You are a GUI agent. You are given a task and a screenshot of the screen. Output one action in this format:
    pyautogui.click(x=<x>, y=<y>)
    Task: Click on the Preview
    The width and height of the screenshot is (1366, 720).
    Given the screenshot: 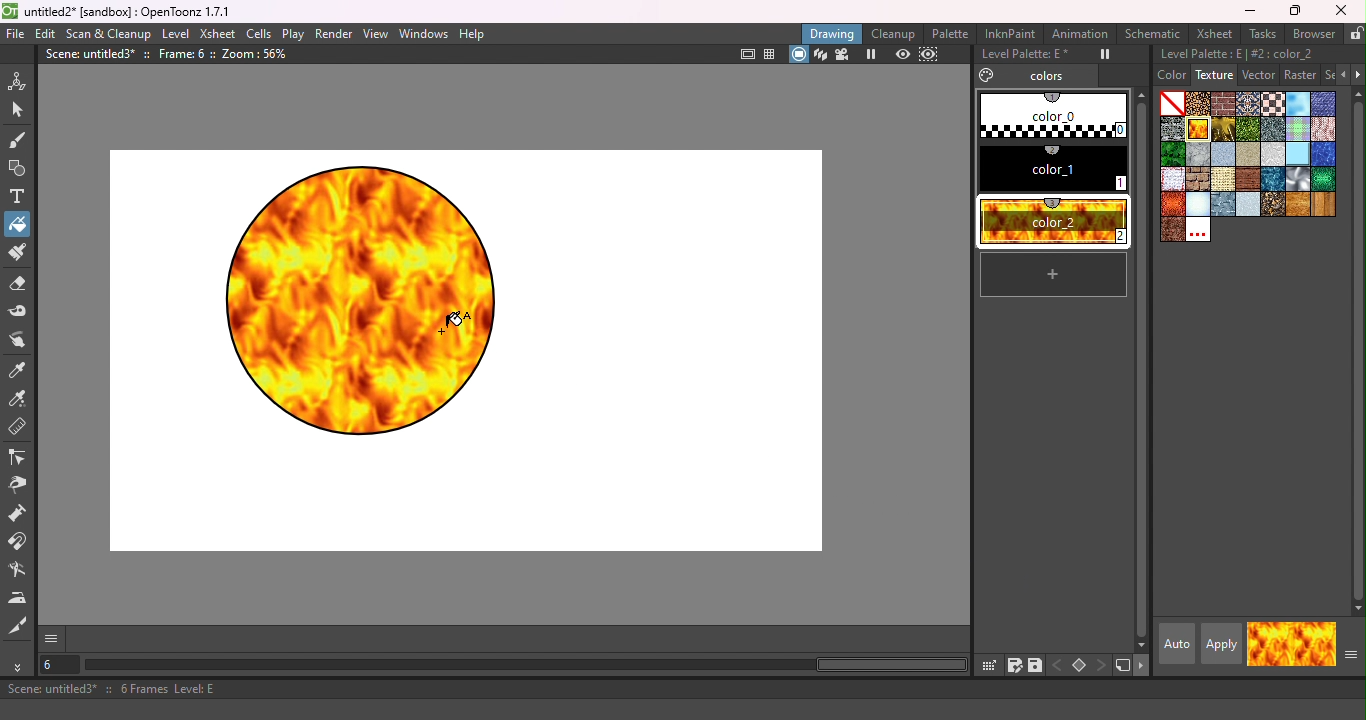 What is the action you would take?
    pyautogui.click(x=900, y=54)
    